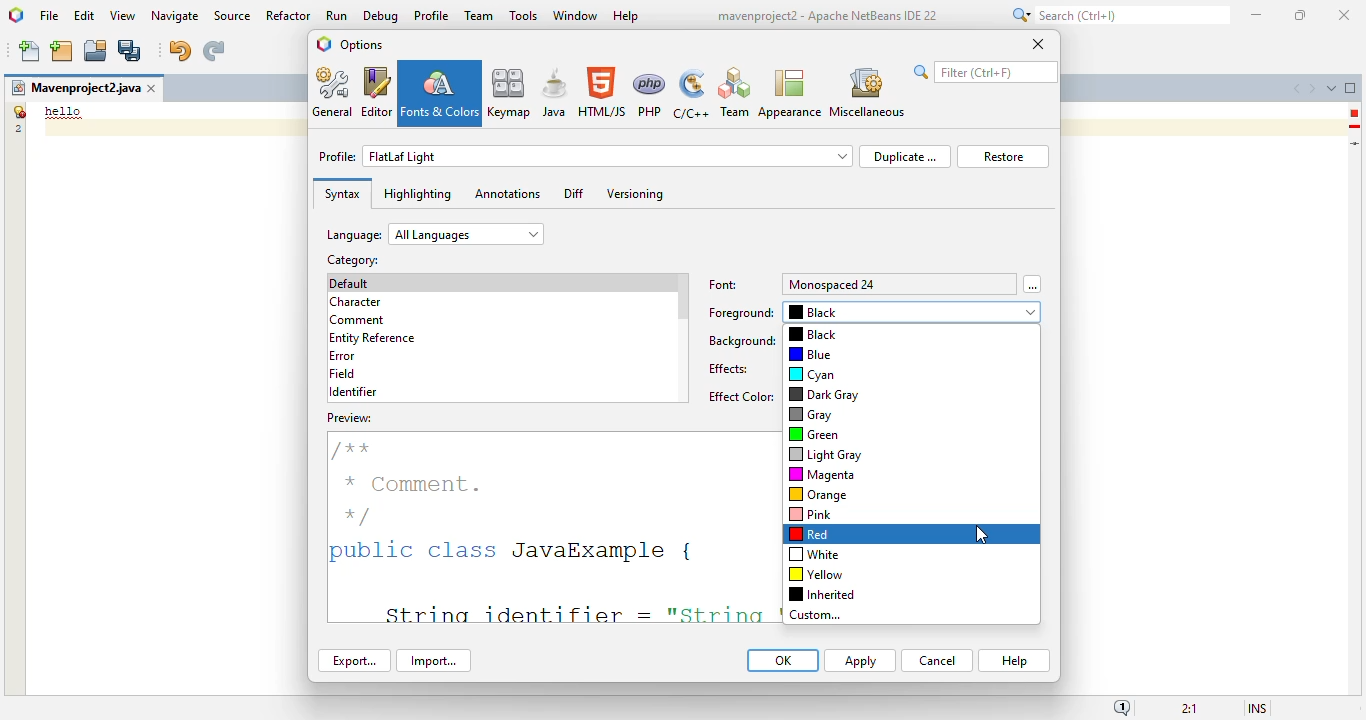 This screenshot has height=720, width=1366. Describe the element at coordinates (435, 234) in the screenshot. I see `language: ` at that location.